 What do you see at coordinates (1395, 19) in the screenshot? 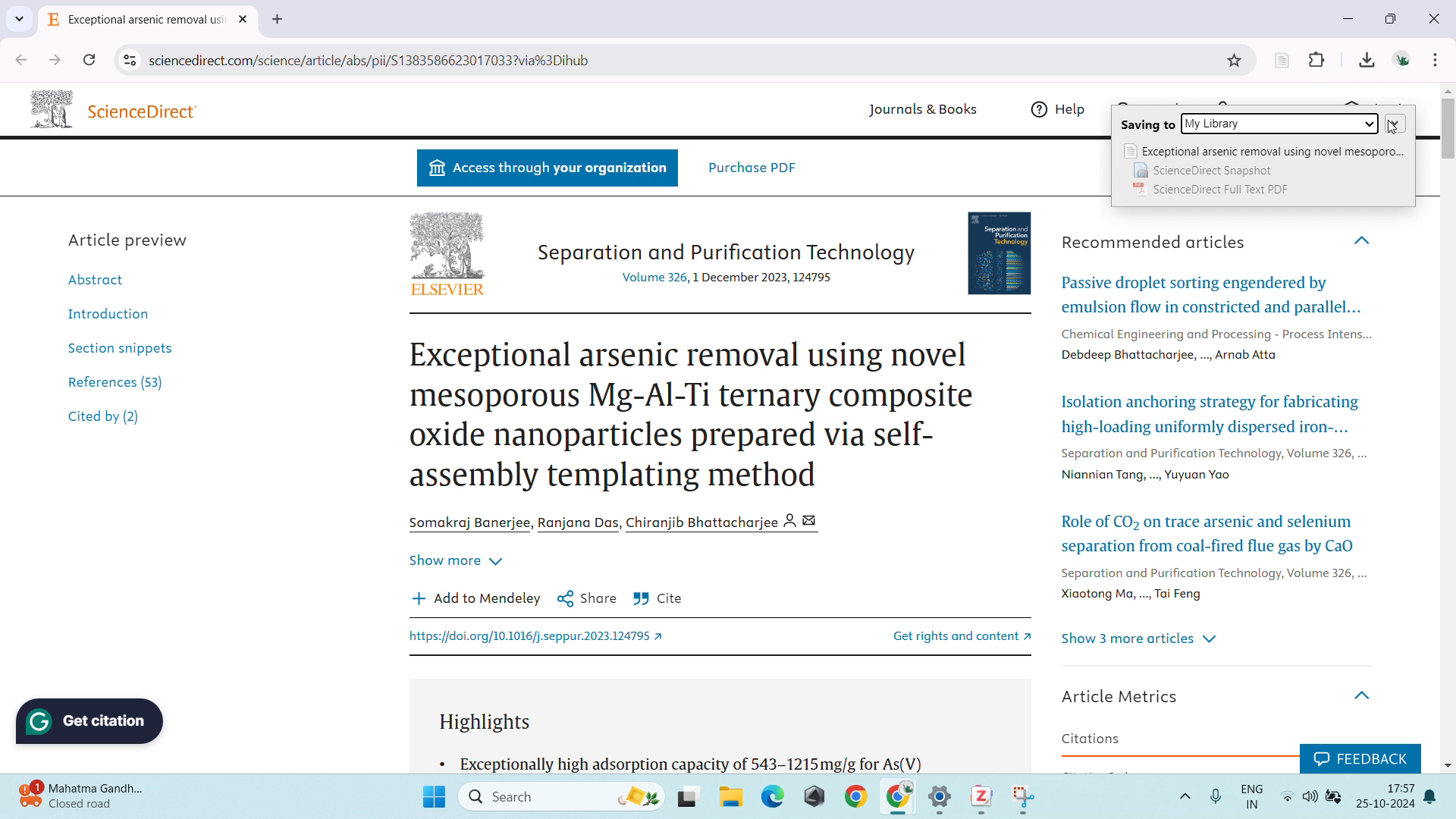
I see `maximize` at bounding box center [1395, 19].